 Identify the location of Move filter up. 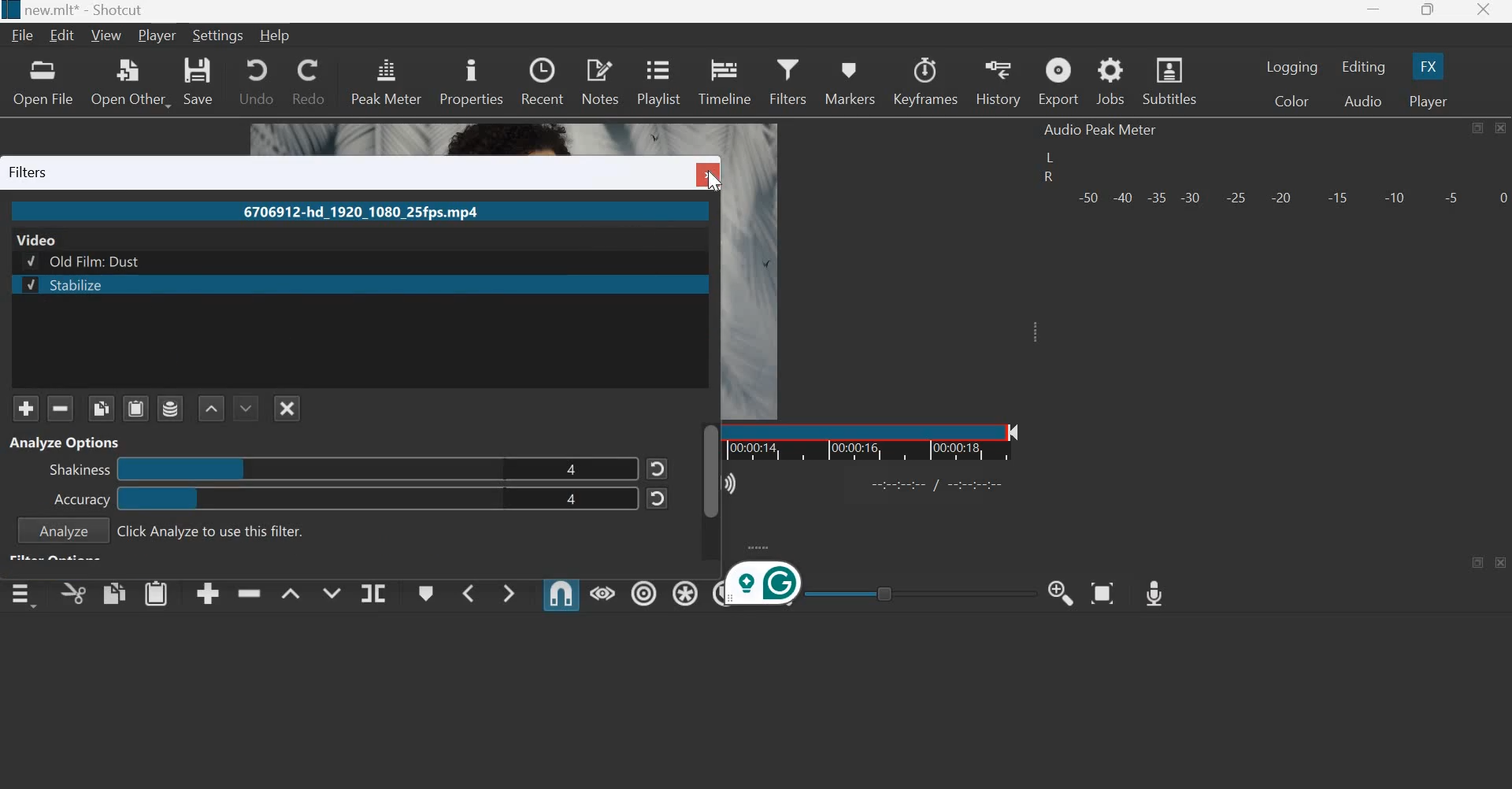
(213, 409).